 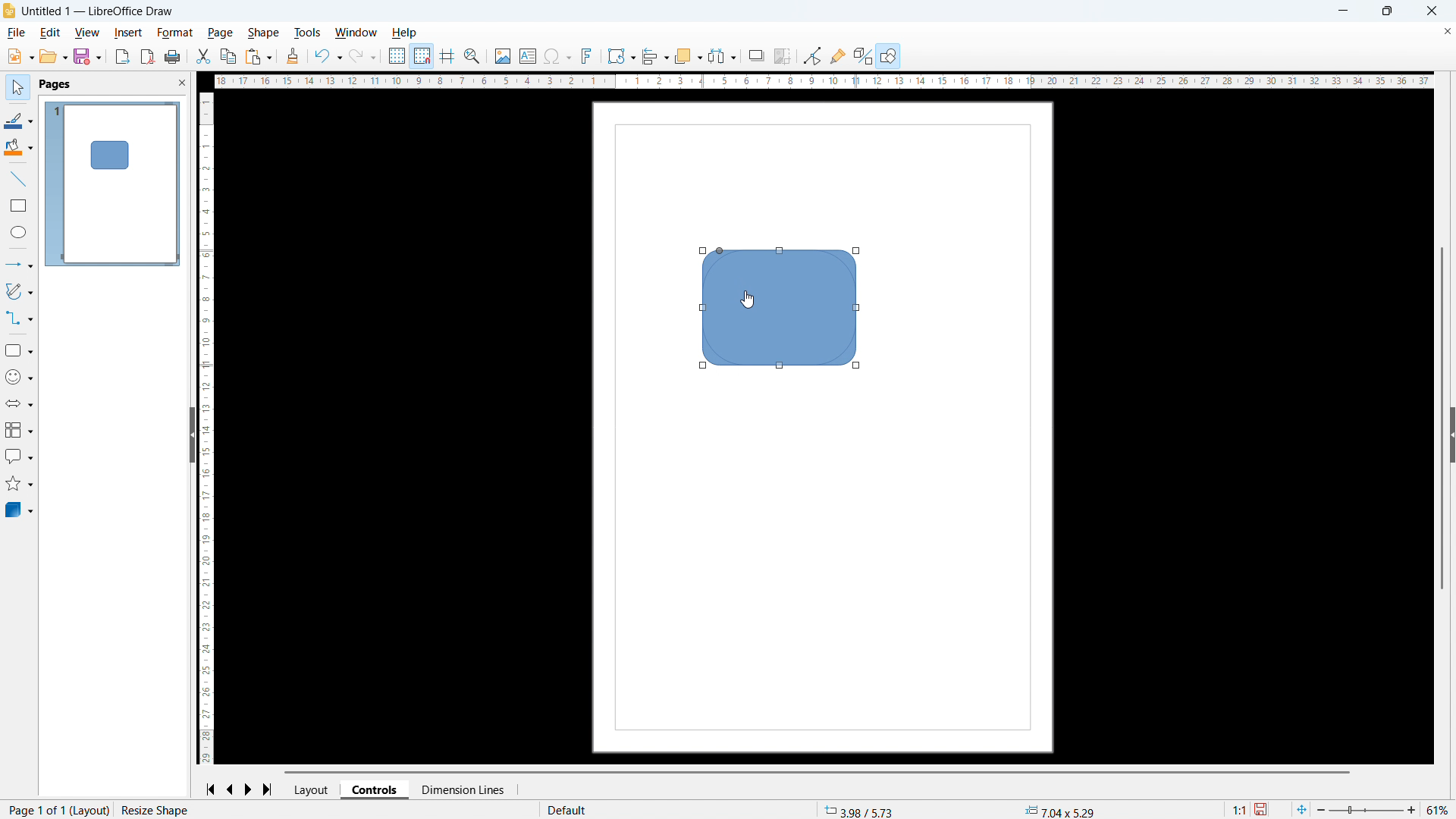 I want to click on Print , so click(x=173, y=57).